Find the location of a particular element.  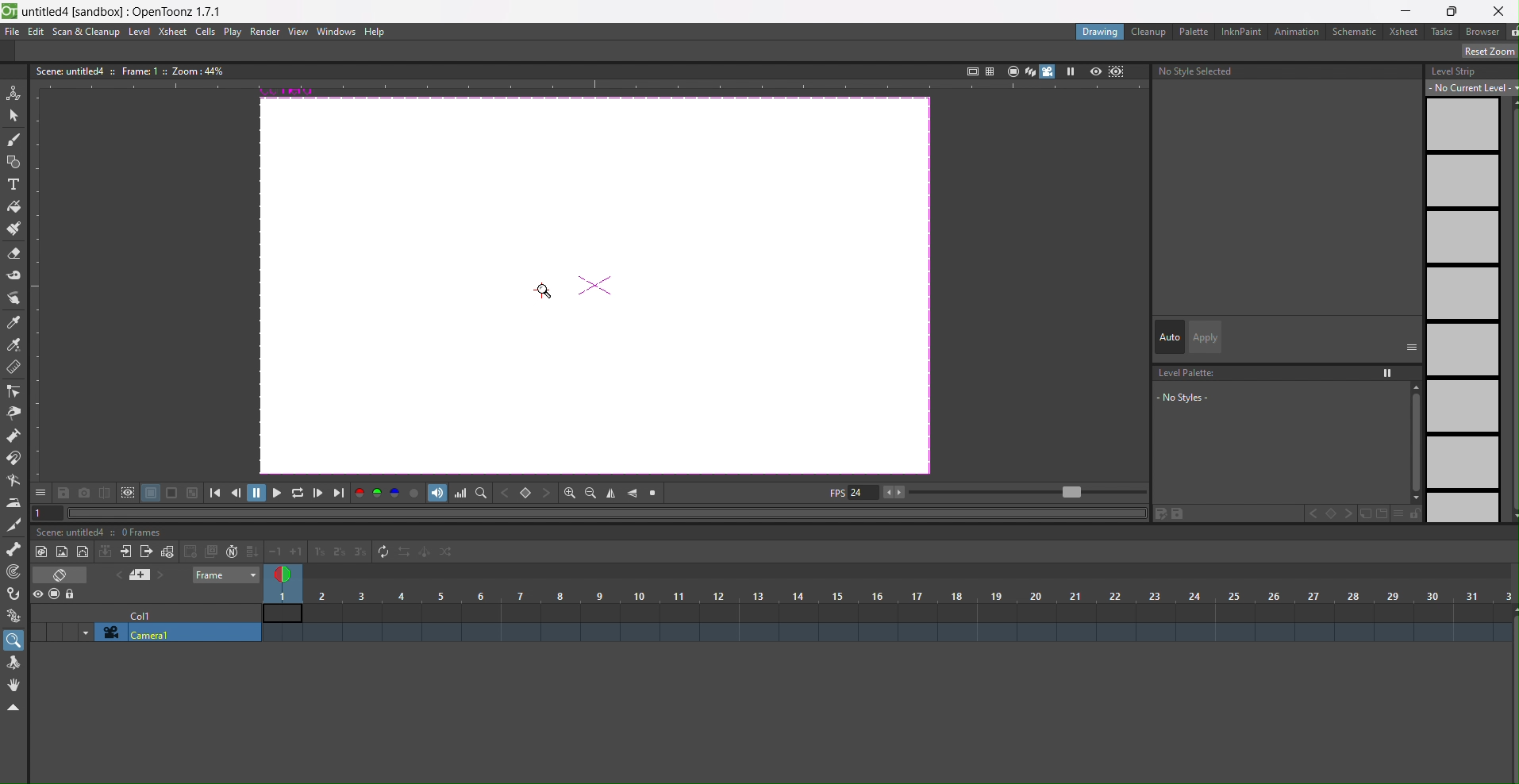

minimize is located at coordinates (1409, 10).